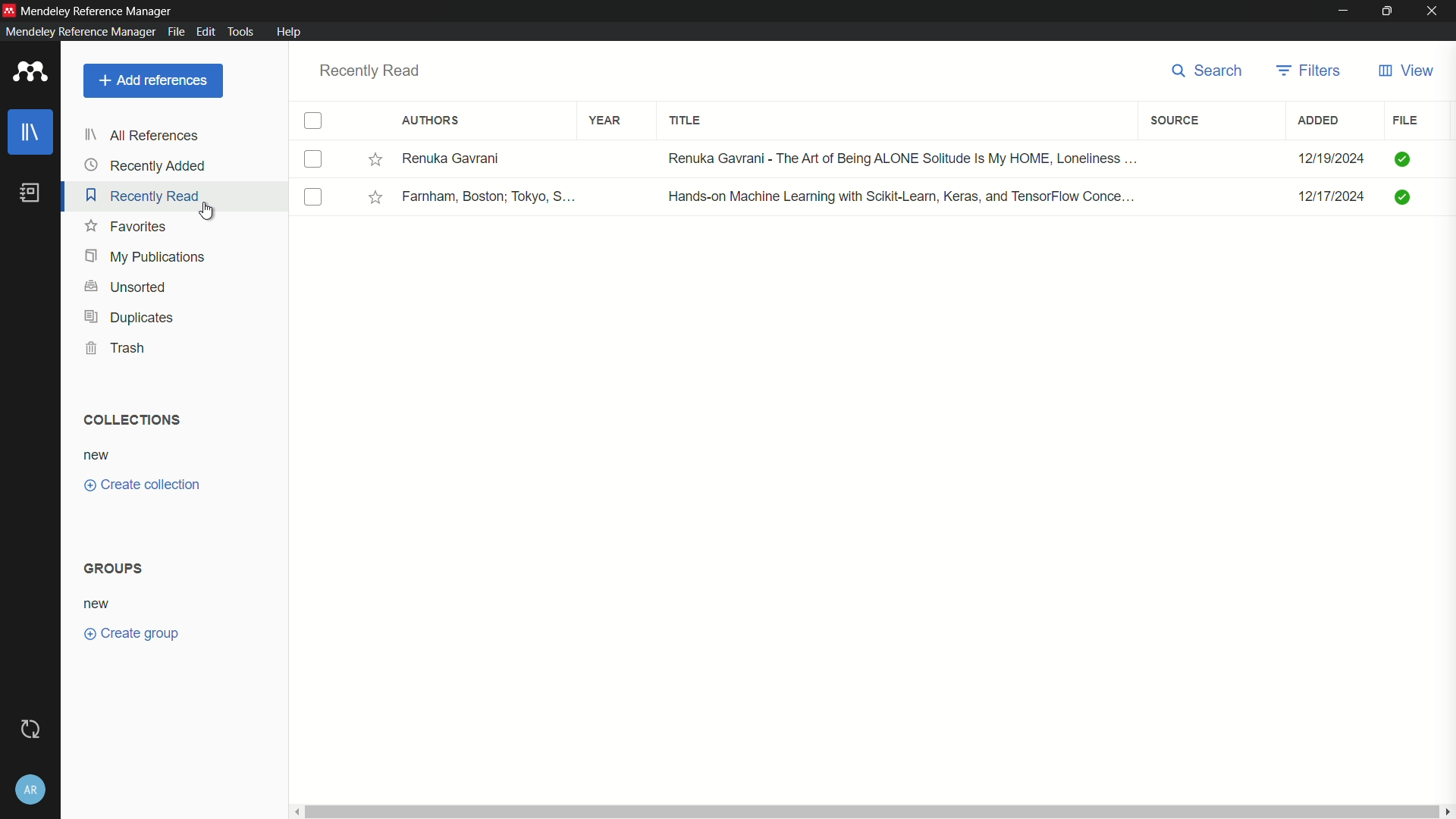  I want to click on Toggle favorites, so click(374, 158).